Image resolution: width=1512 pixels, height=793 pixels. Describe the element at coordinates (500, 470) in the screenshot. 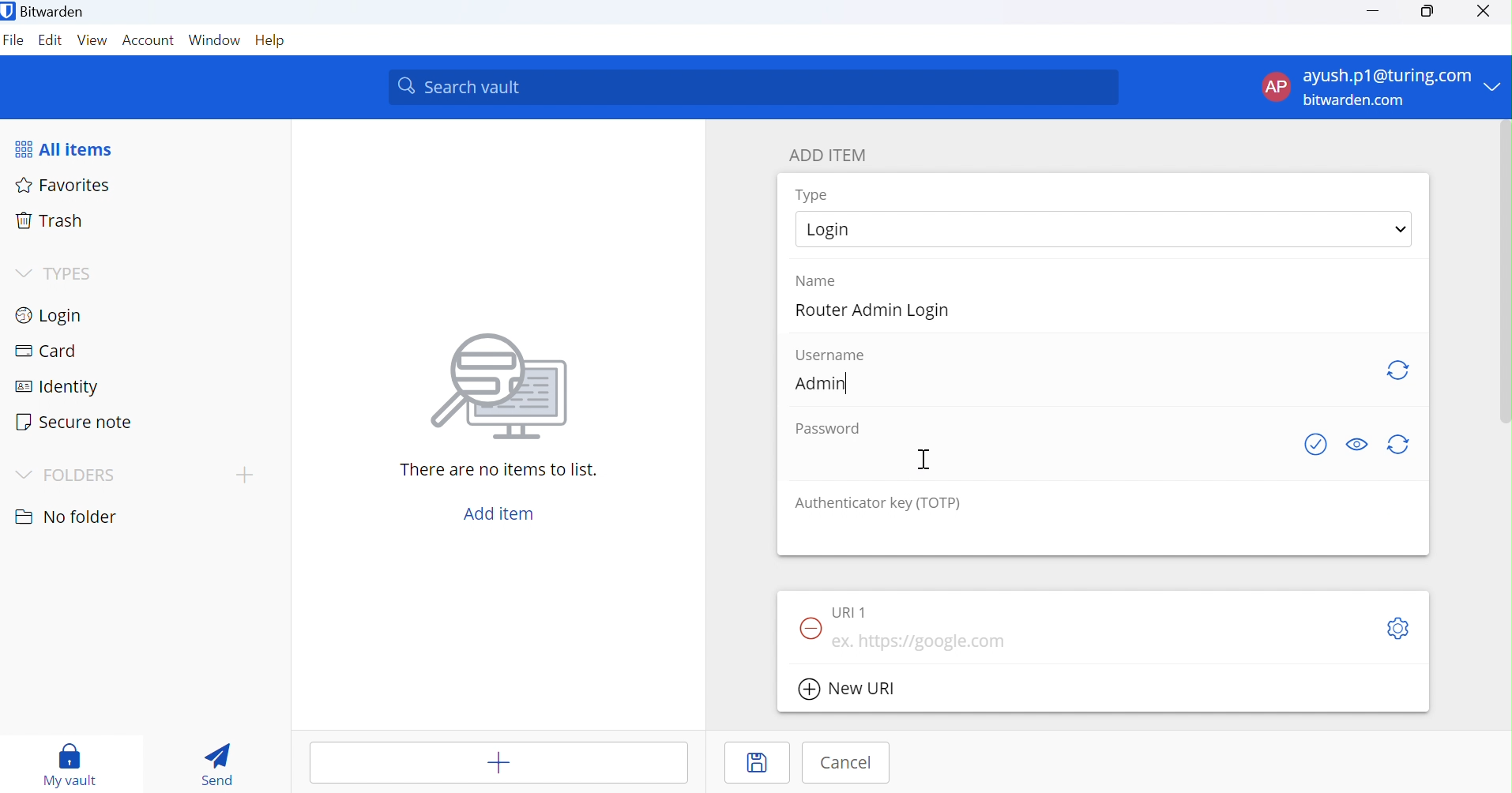

I see `There are no items to list.` at that location.